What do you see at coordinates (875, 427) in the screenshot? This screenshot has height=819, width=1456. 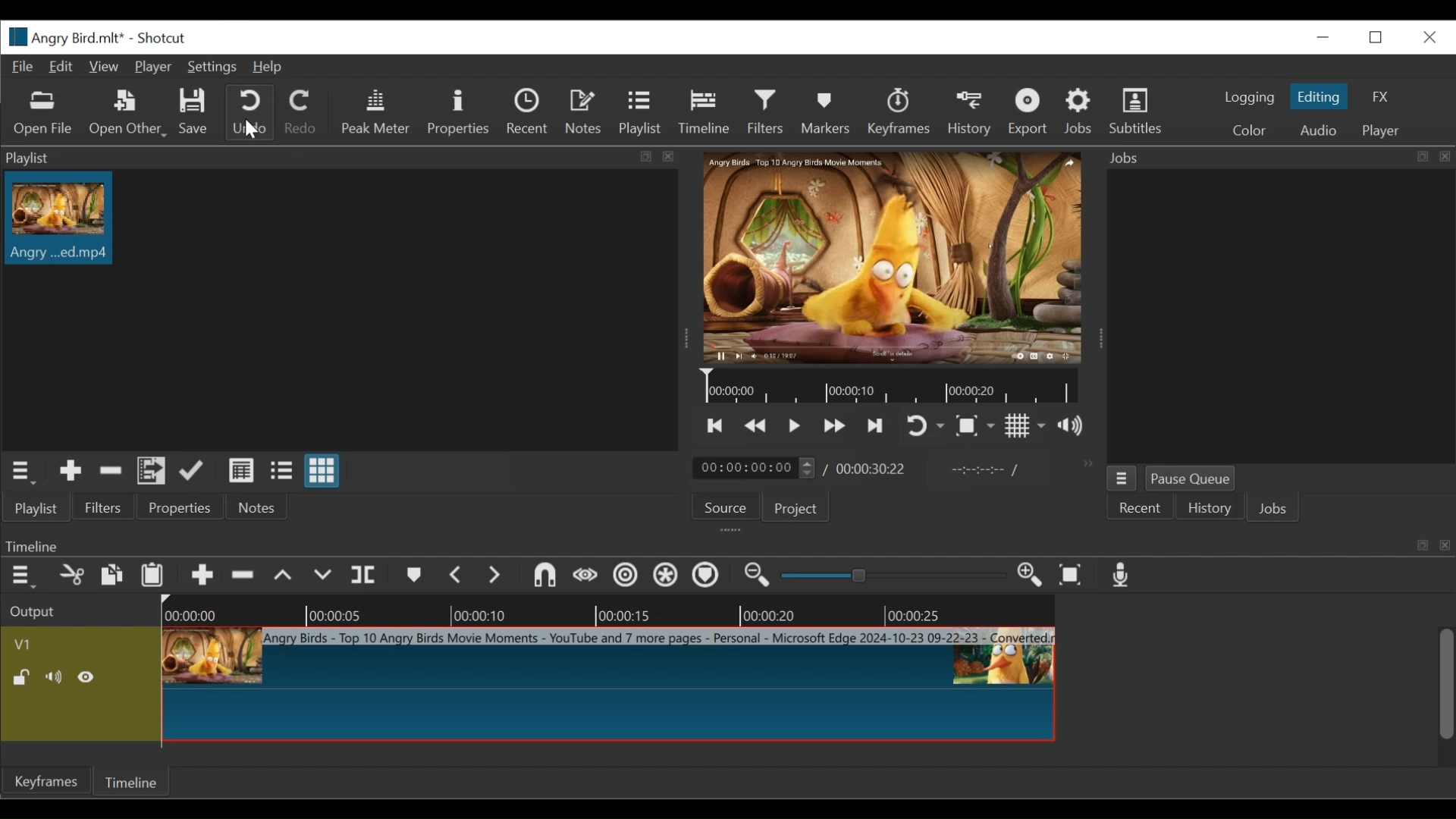 I see `Skip to the next point` at bounding box center [875, 427].